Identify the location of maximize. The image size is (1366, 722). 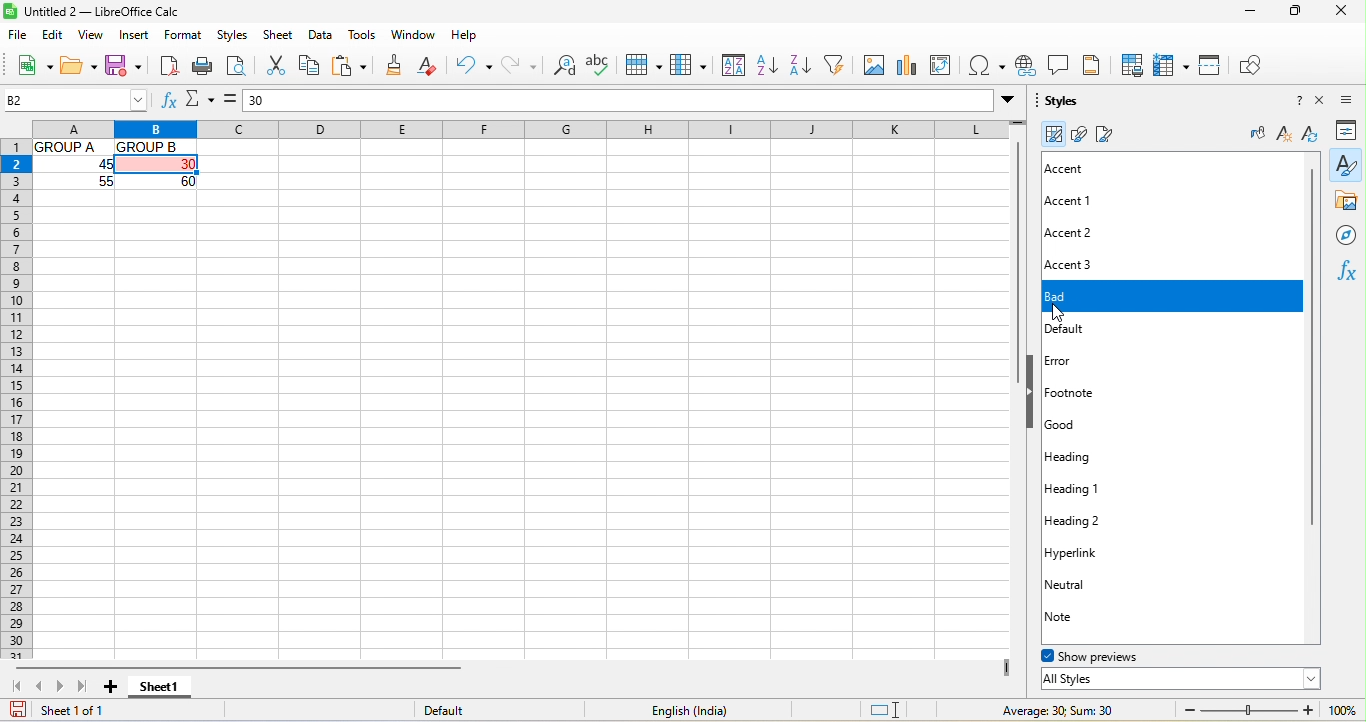
(1294, 12).